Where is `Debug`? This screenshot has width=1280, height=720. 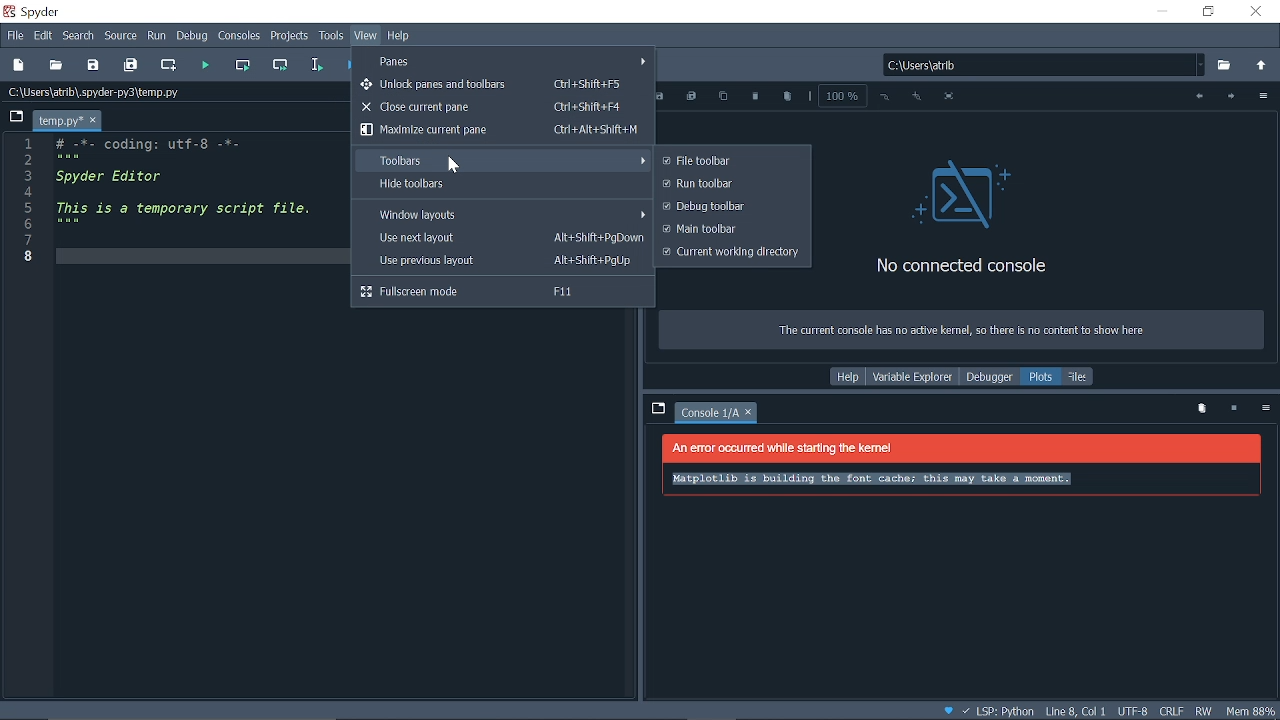 Debug is located at coordinates (194, 37).